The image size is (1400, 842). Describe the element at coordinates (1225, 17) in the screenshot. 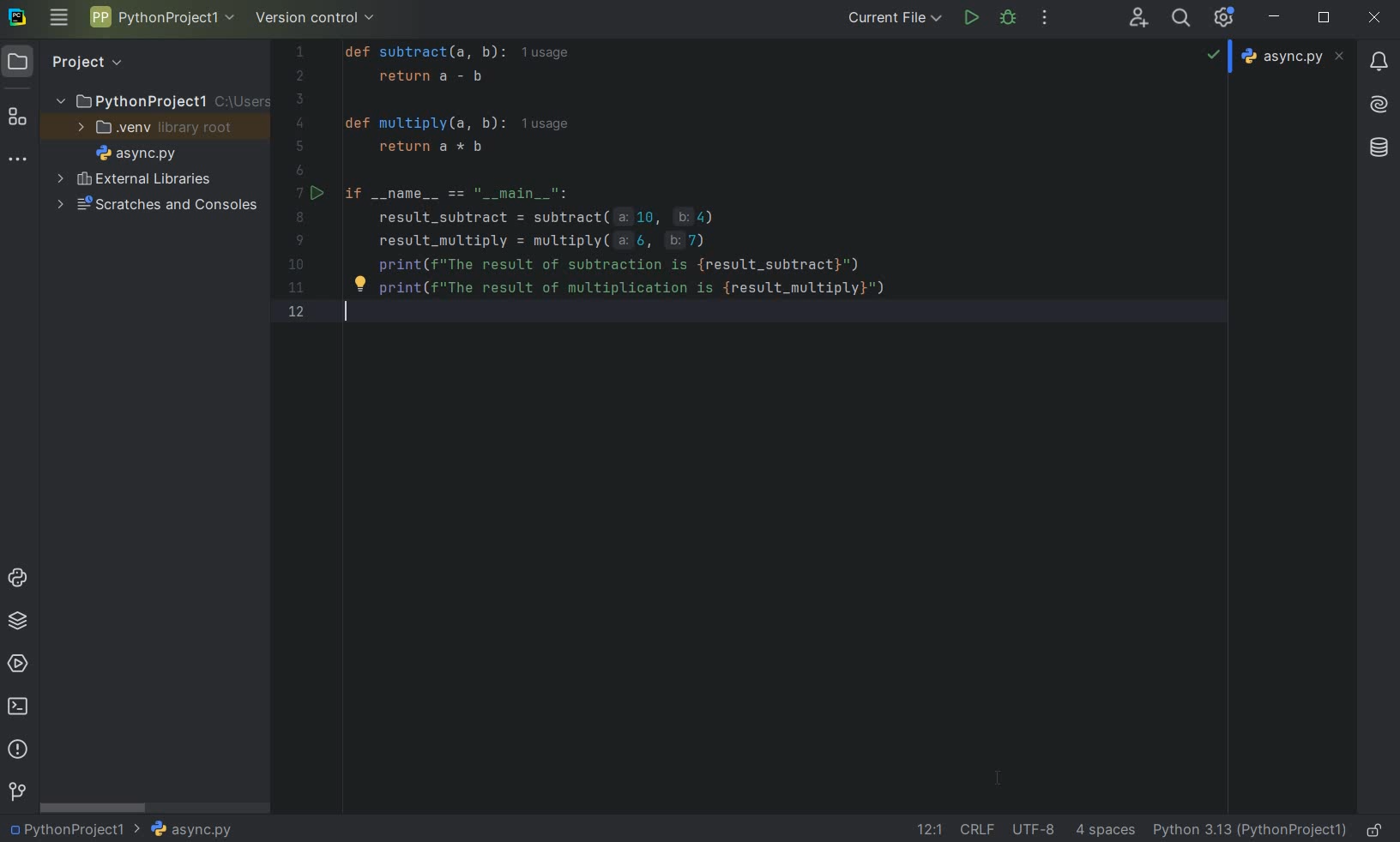

I see `ide and project settings` at that location.